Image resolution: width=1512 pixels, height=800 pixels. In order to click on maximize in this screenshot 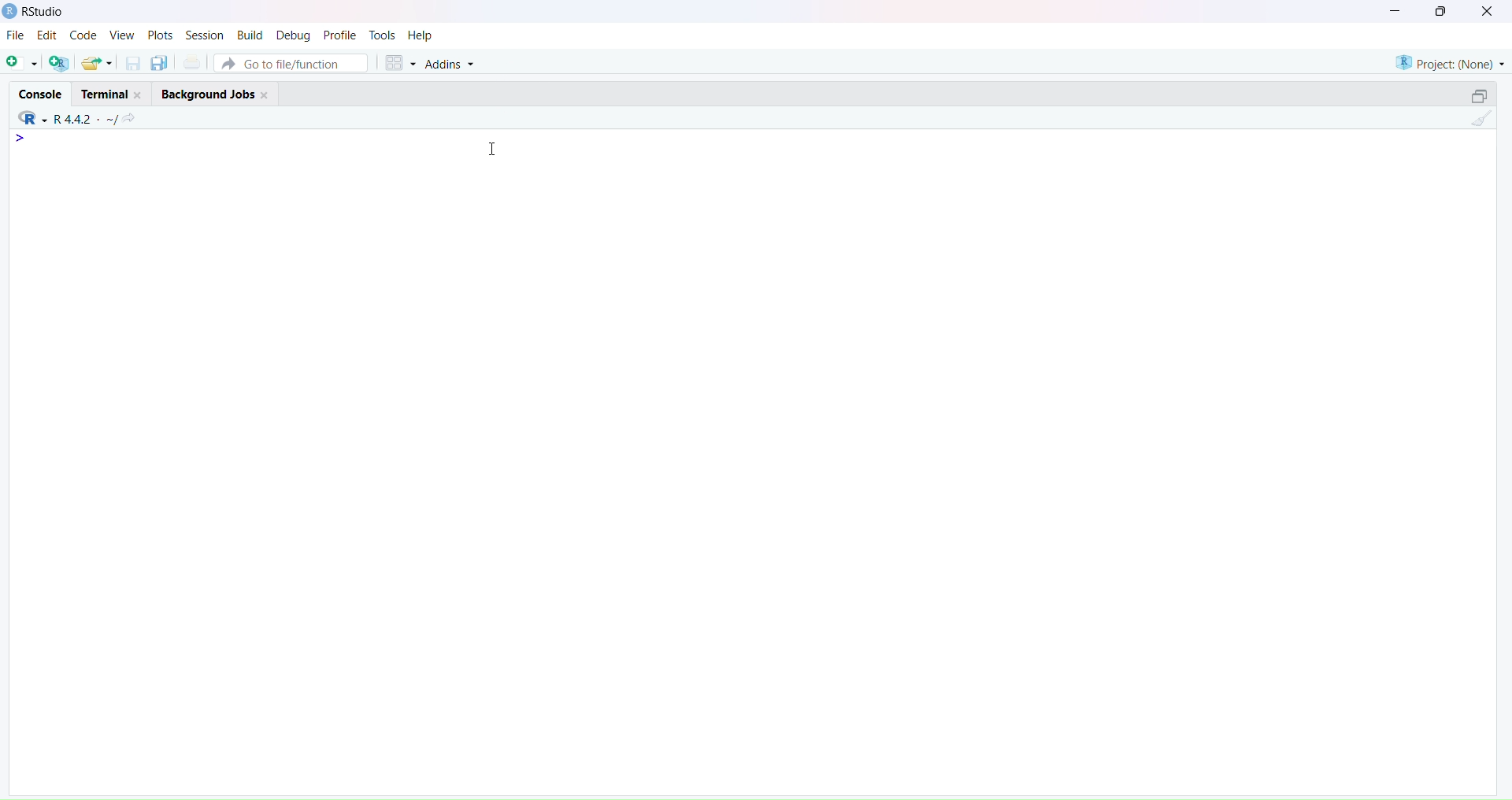, I will do `click(1440, 13)`.